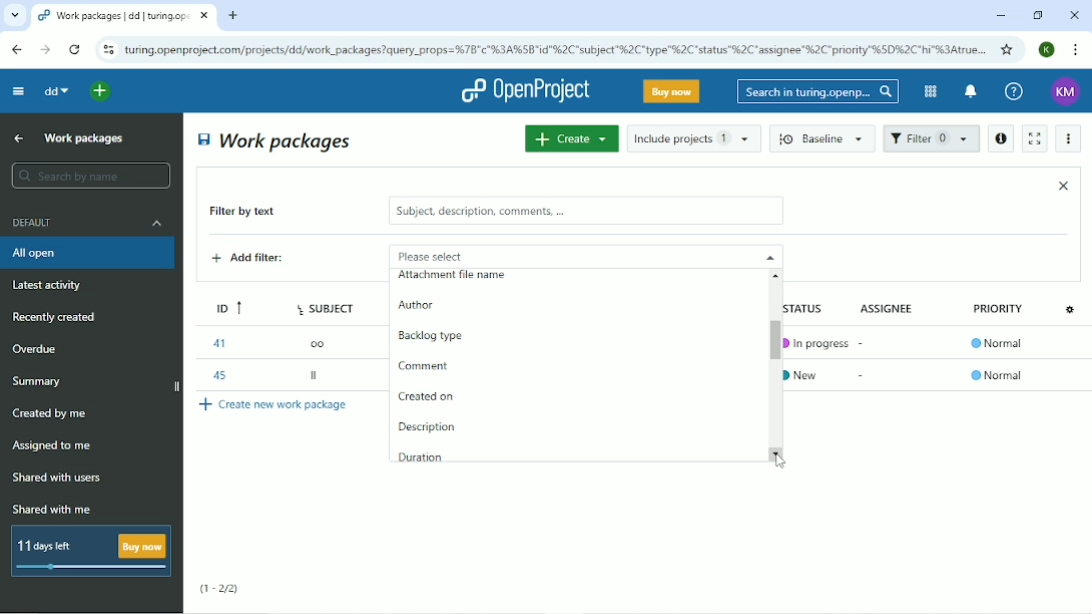 The height and width of the screenshot is (614, 1092). Describe the element at coordinates (101, 91) in the screenshot. I see `Open quick add menu` at that location.